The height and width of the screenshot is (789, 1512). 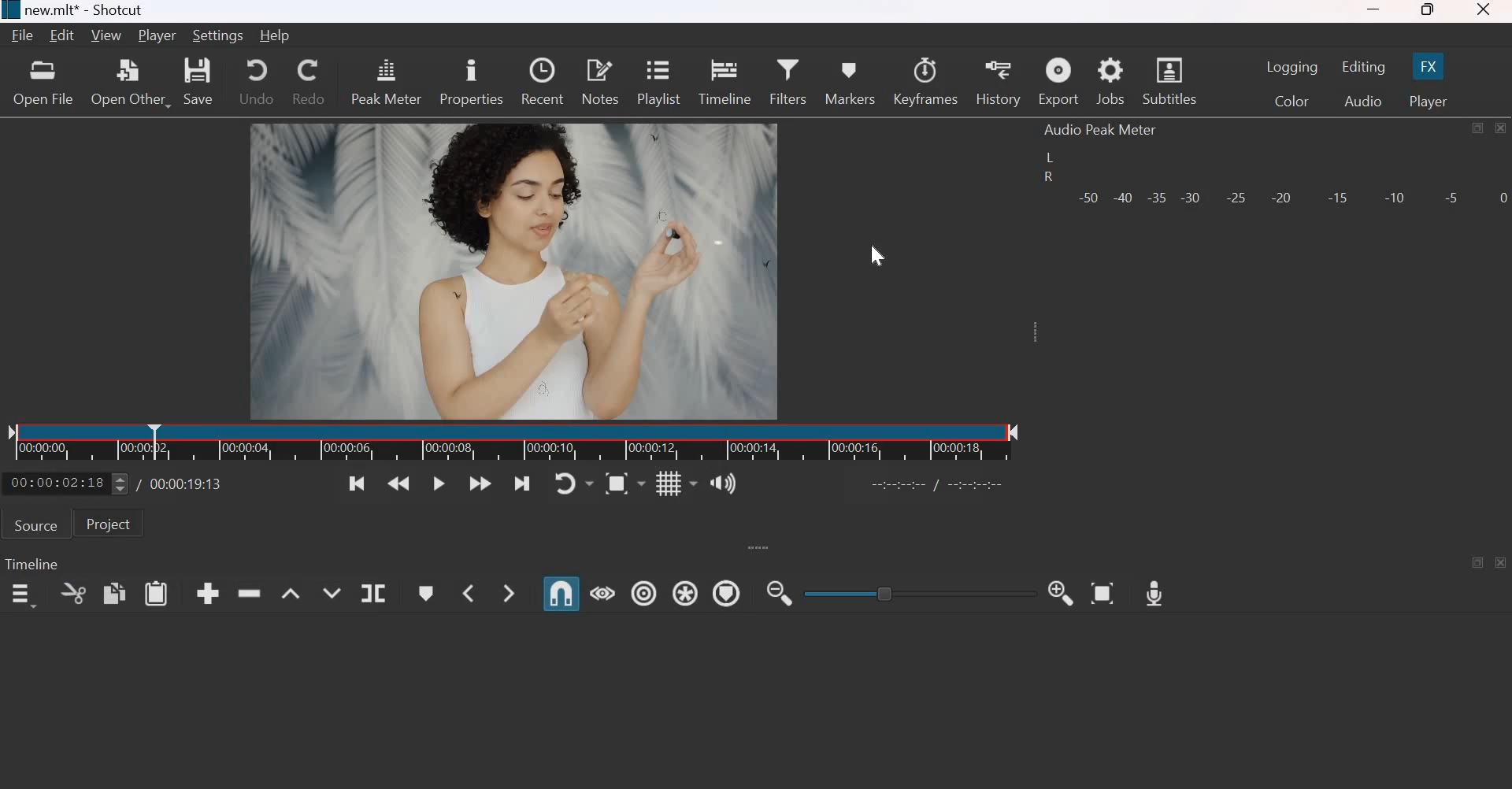 I want to click on zoom slider, so click(x=913, y=593).